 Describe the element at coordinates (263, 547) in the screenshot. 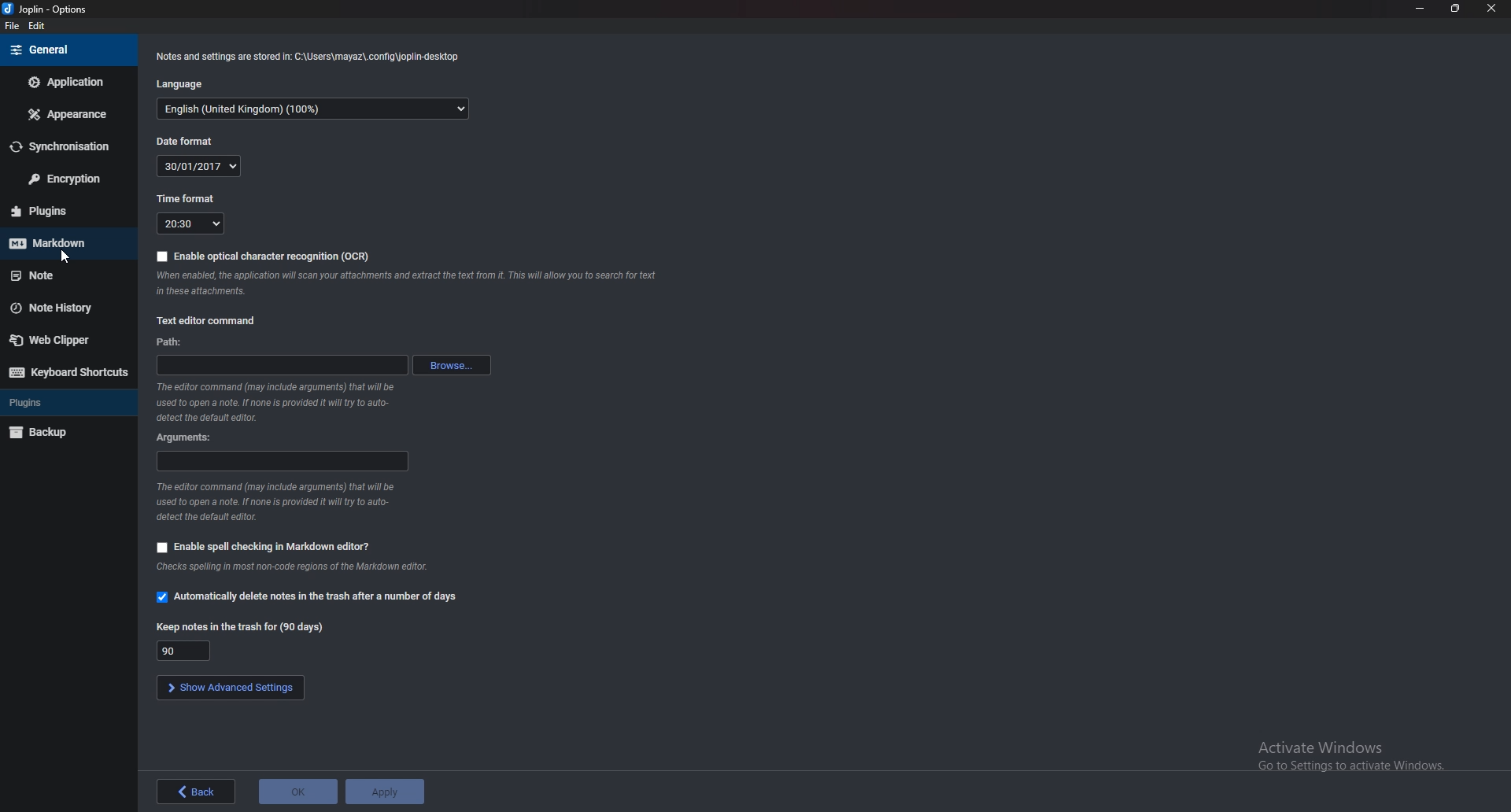

I see `Enable spell checking` at that location.